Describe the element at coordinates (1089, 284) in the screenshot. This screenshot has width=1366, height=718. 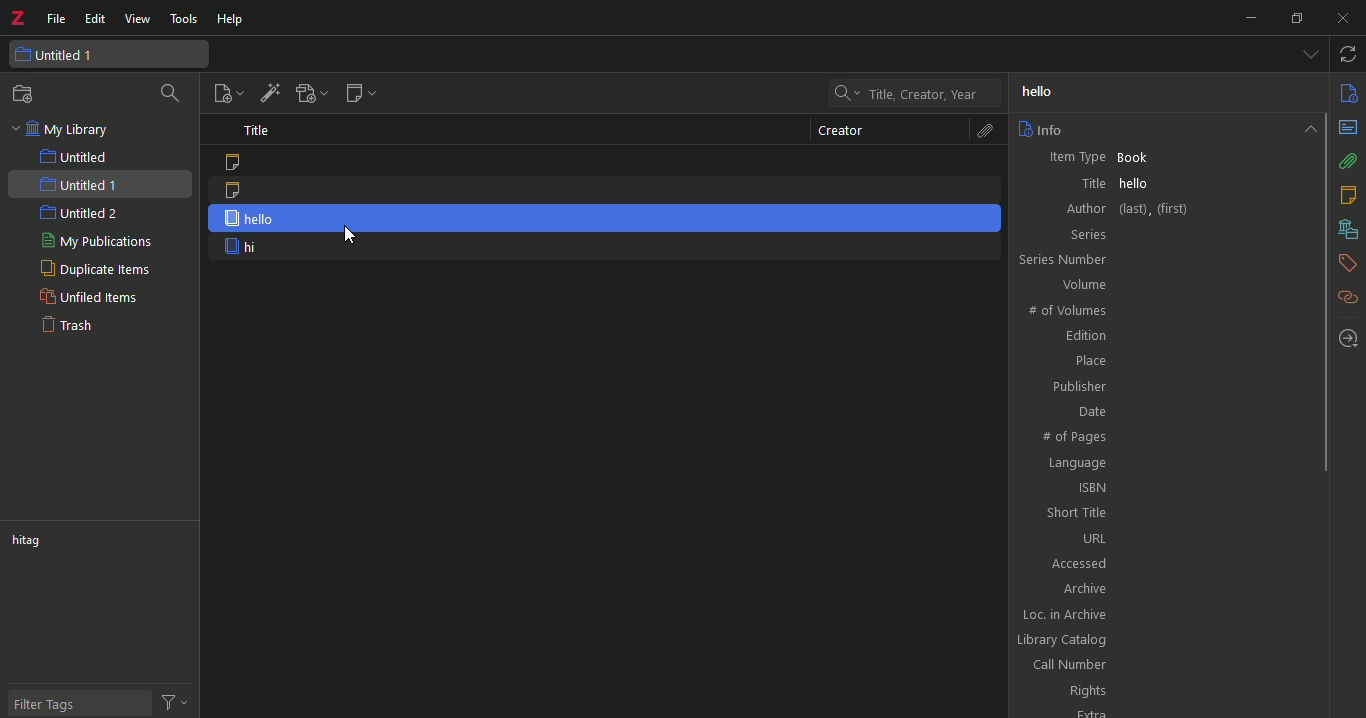
I see `Volume` at that location.